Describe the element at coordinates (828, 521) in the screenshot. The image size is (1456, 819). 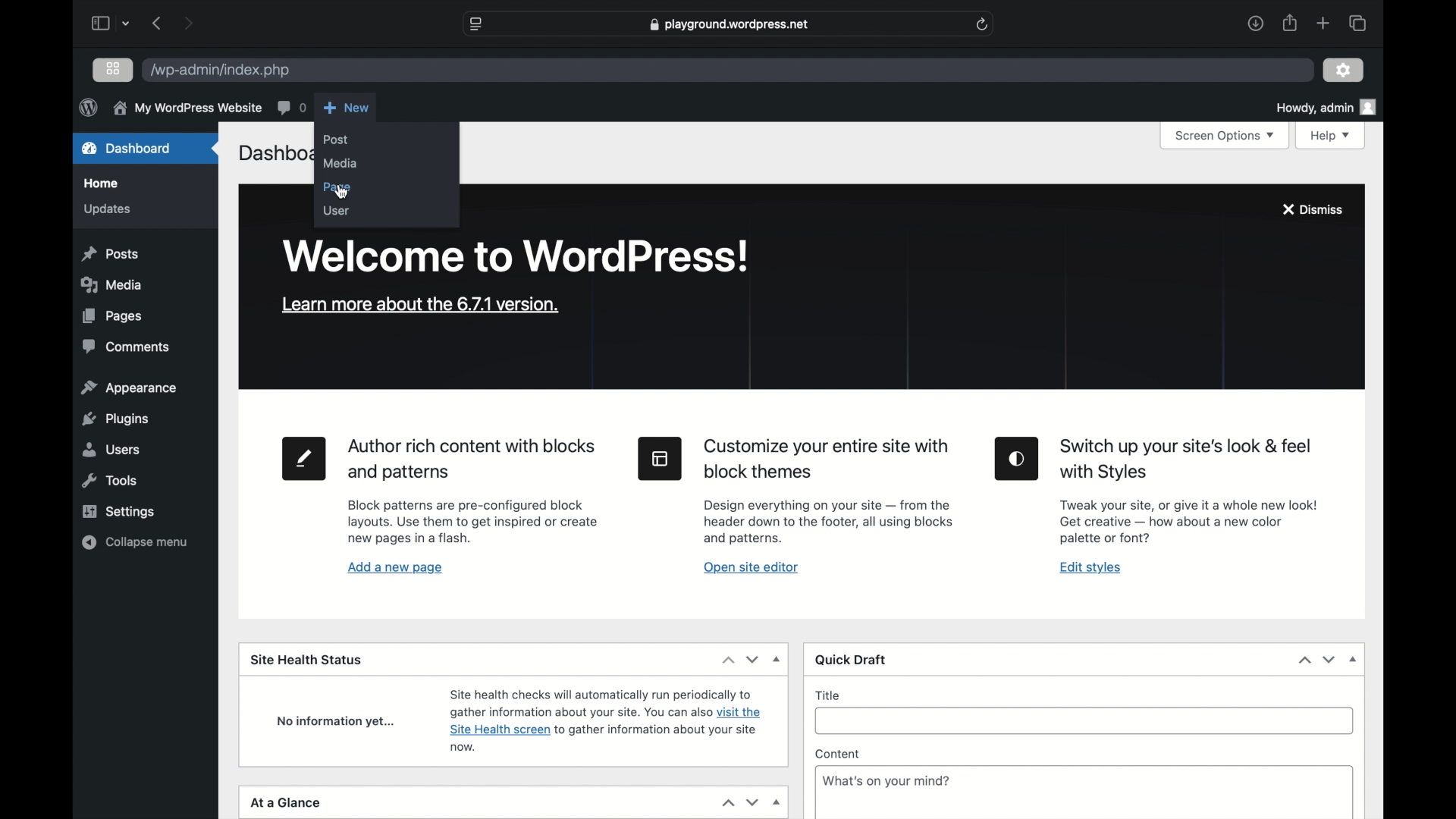
I see `info site editor tool information` at that location.